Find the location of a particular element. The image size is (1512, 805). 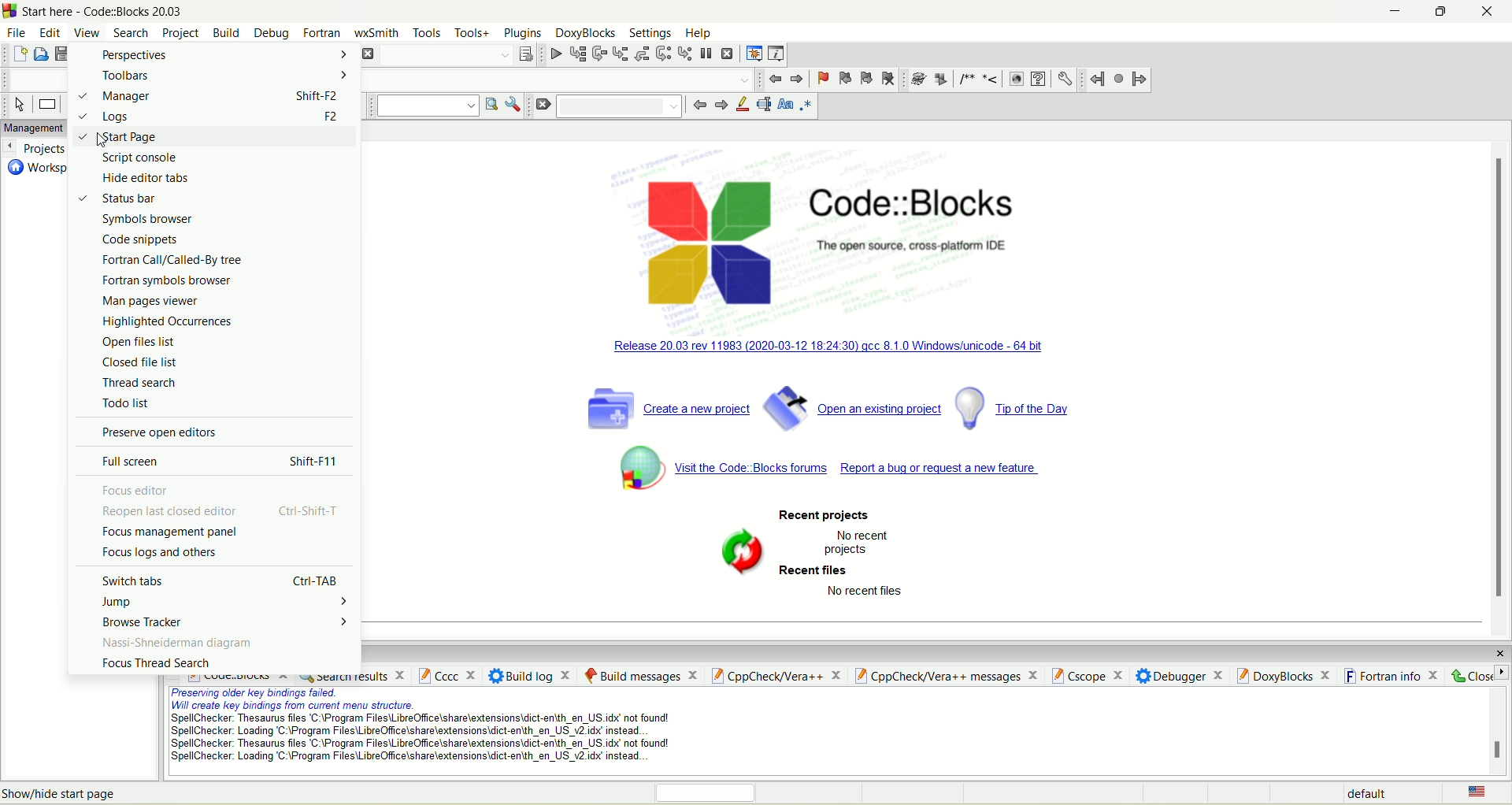

preserve open editors is located at coordinates (161, 433).